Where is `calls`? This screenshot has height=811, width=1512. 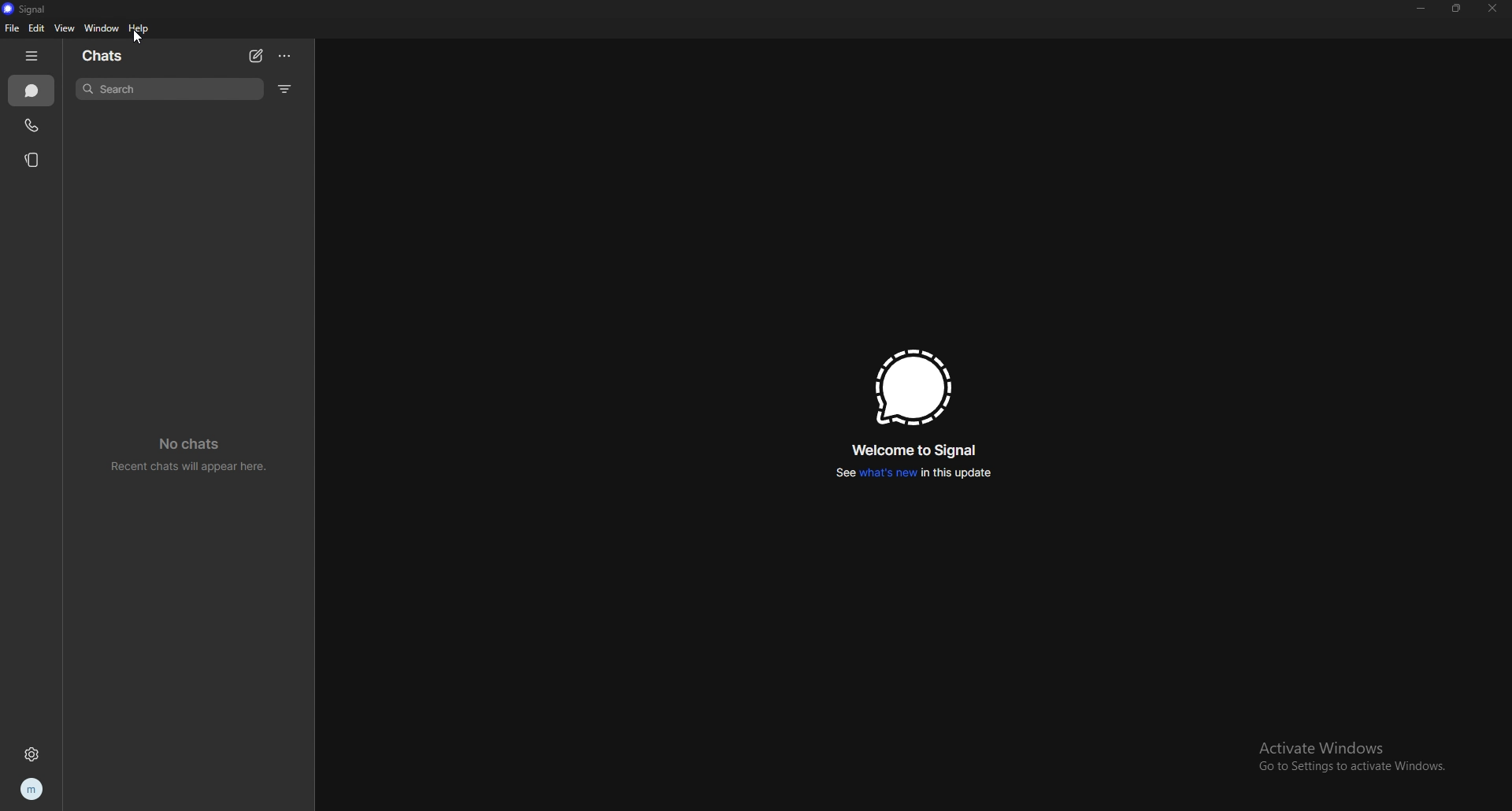
calls is located at coordinates (30, 126).